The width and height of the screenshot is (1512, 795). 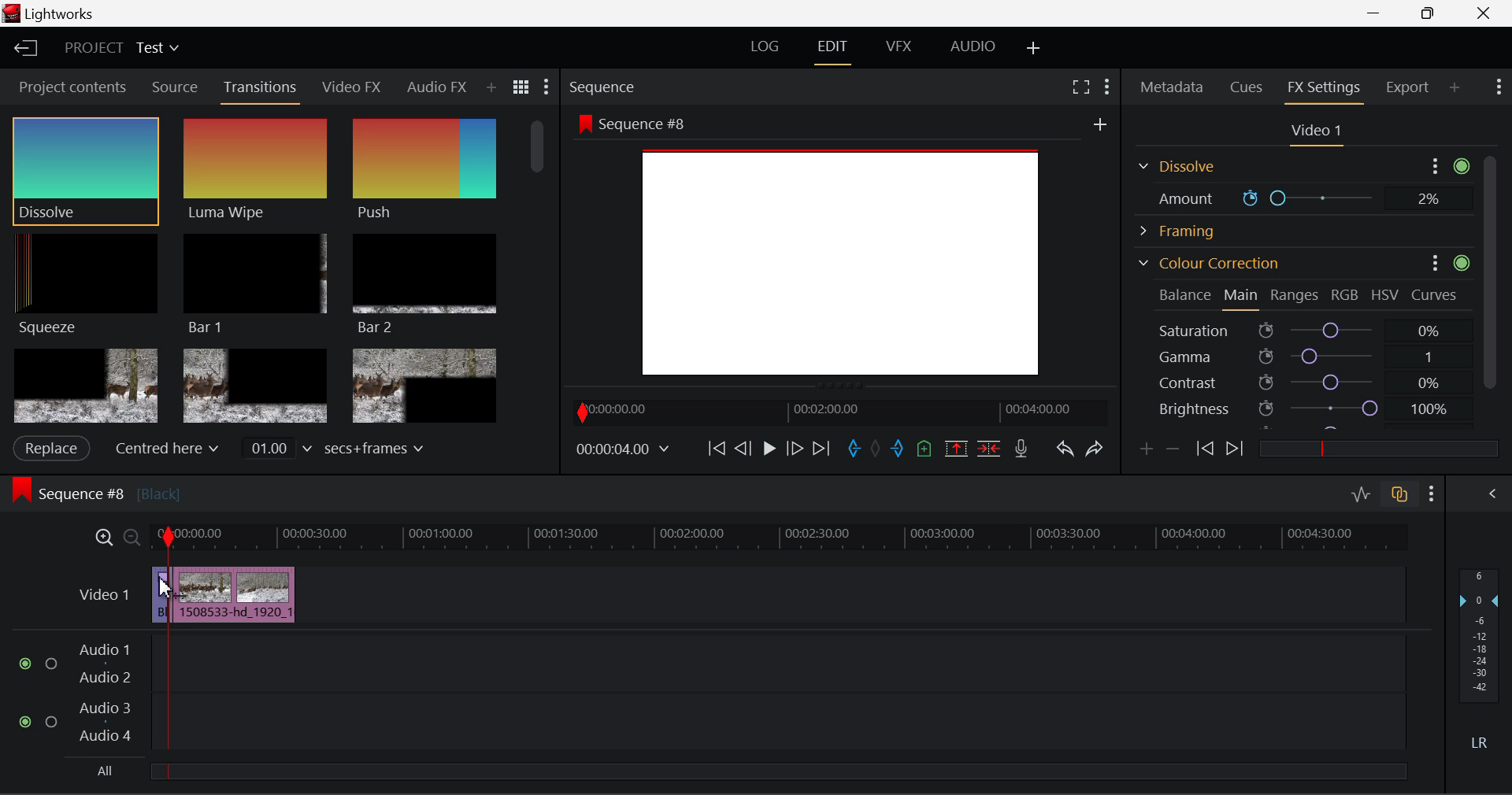 What do you see at coordinates (131, 537) in the screenshot?
I see `Timeline Zoom Out` at bounding box center [131, 537].